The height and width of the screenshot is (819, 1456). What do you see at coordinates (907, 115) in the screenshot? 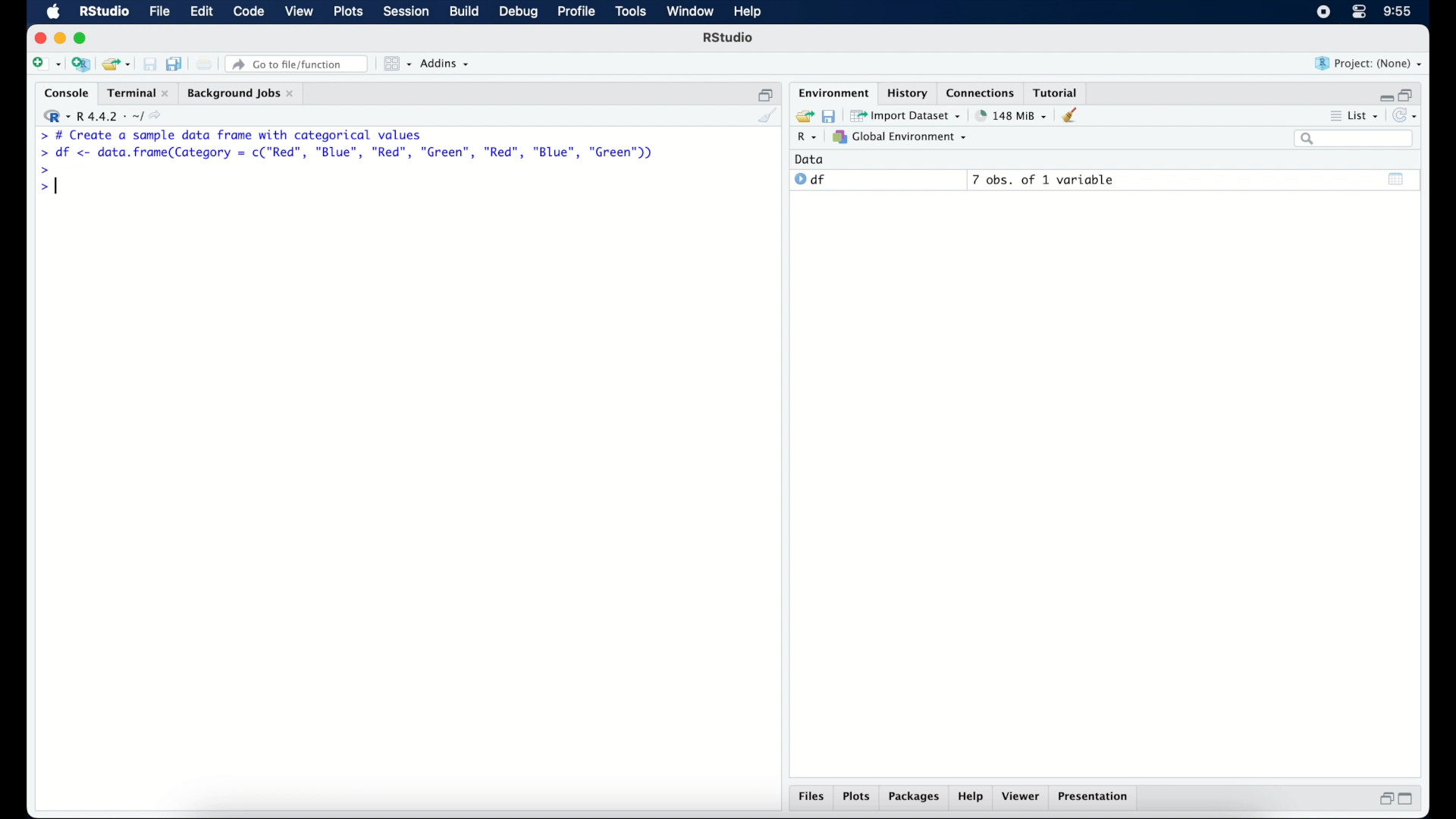
I see `import dataset` at bounding box center [907, 115].